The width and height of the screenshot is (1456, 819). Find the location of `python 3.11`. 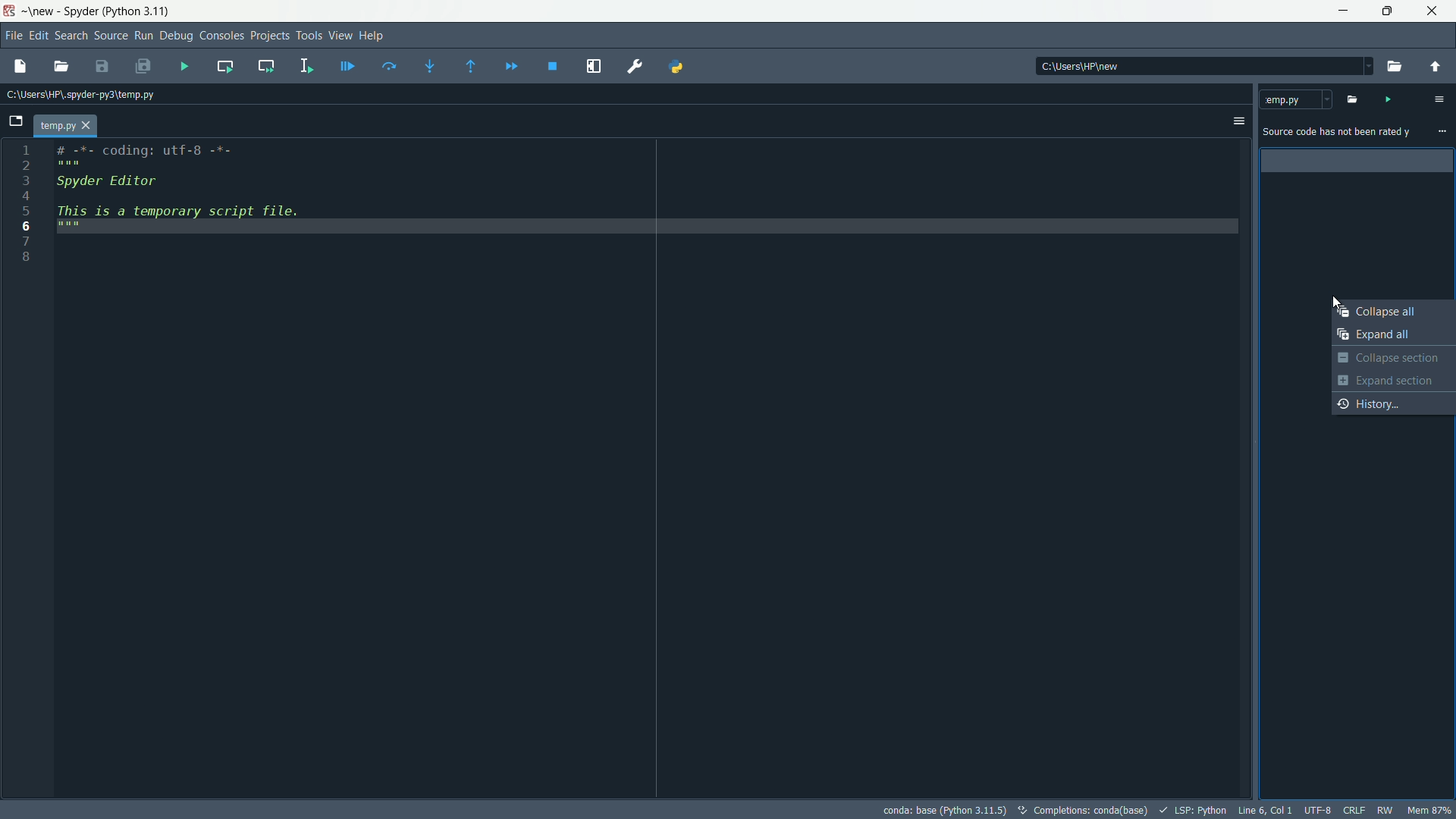

python 3.11 is located at coordinates (137, 13).